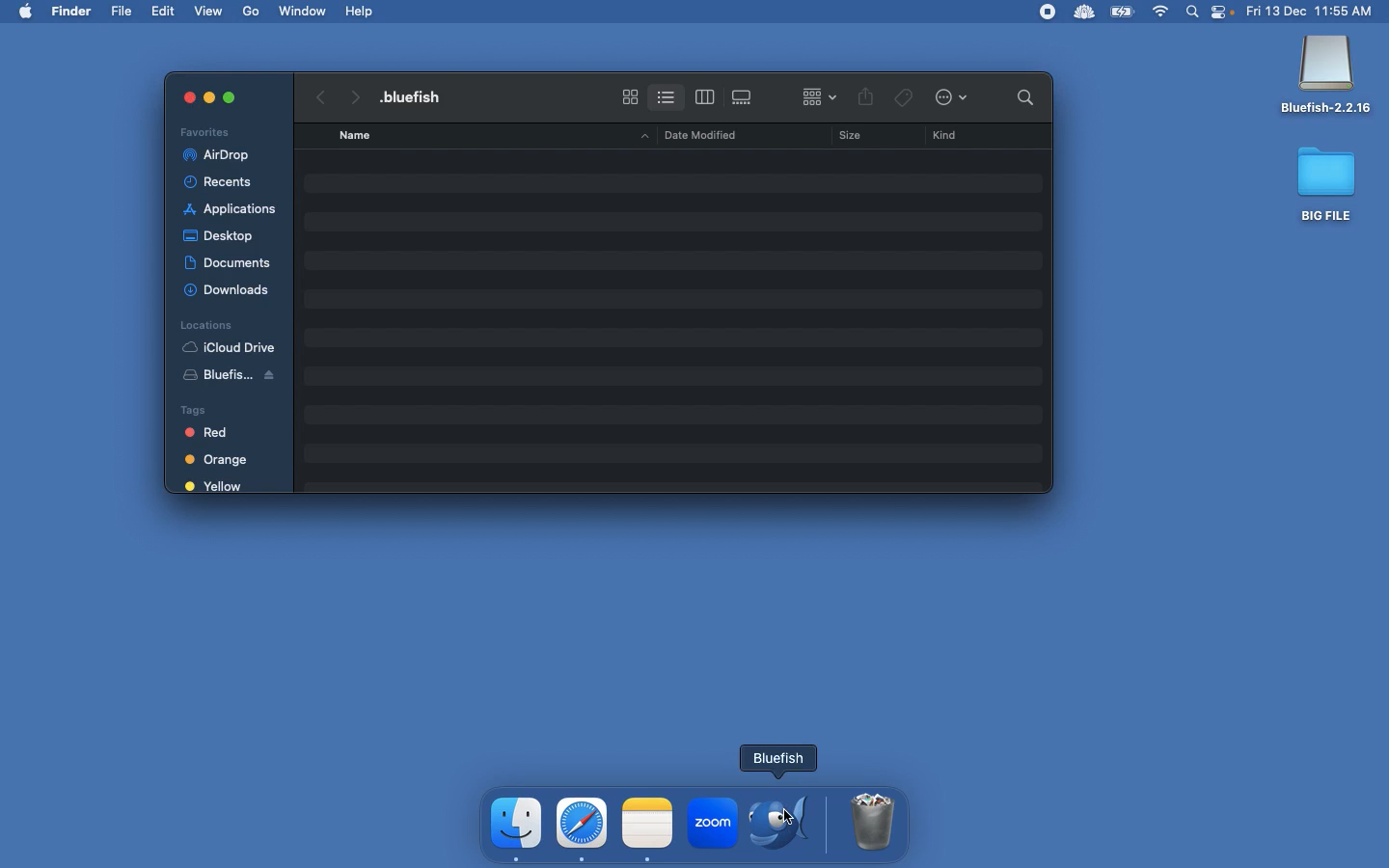 This screenshot has height=868, width=1389. What do you see at coordinates (25, 10) in the screenshot?
I see `mac logo` at bounding box center [25, 10].